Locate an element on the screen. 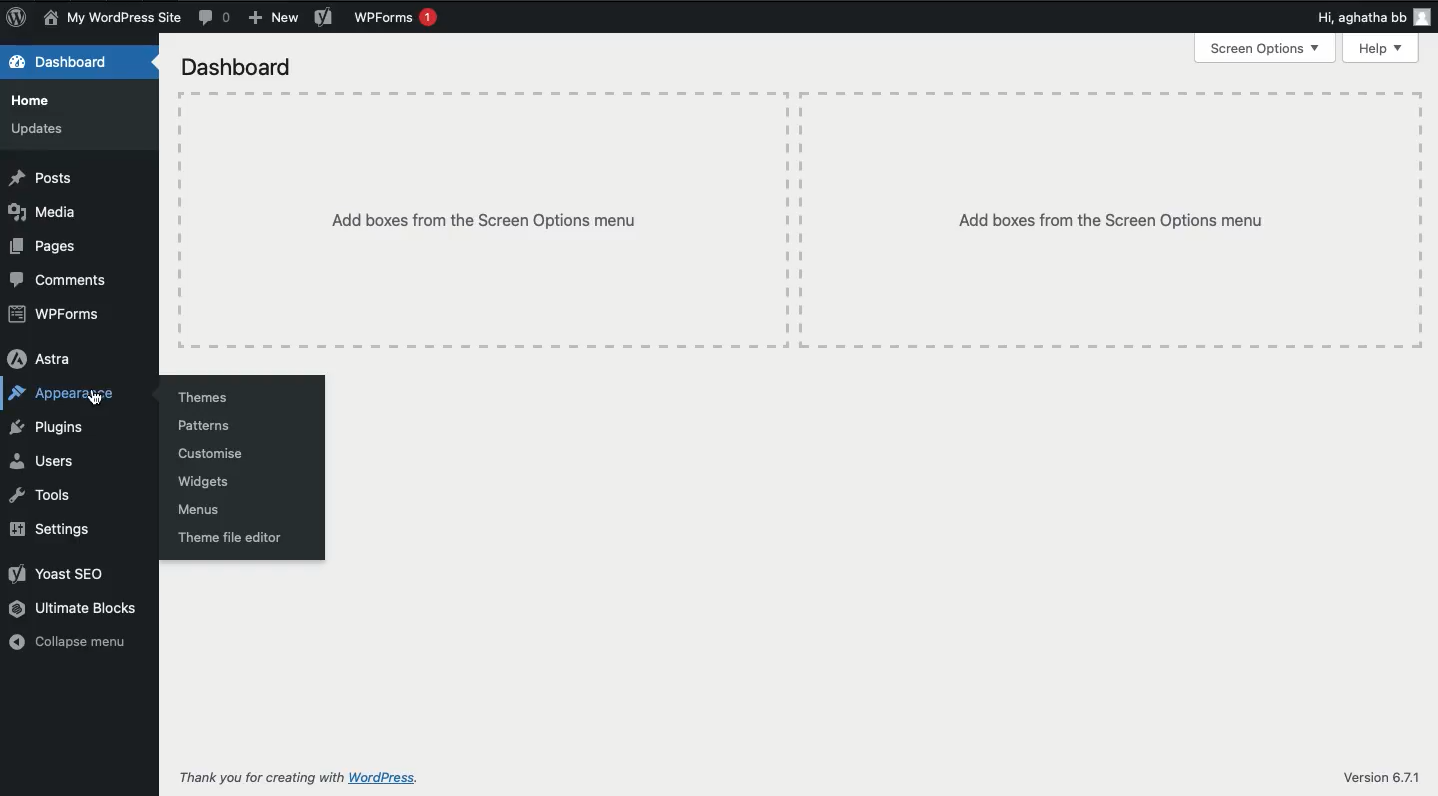 This screenshot has height=796, width=1438. WPForms is located at coordinates (401, 18).